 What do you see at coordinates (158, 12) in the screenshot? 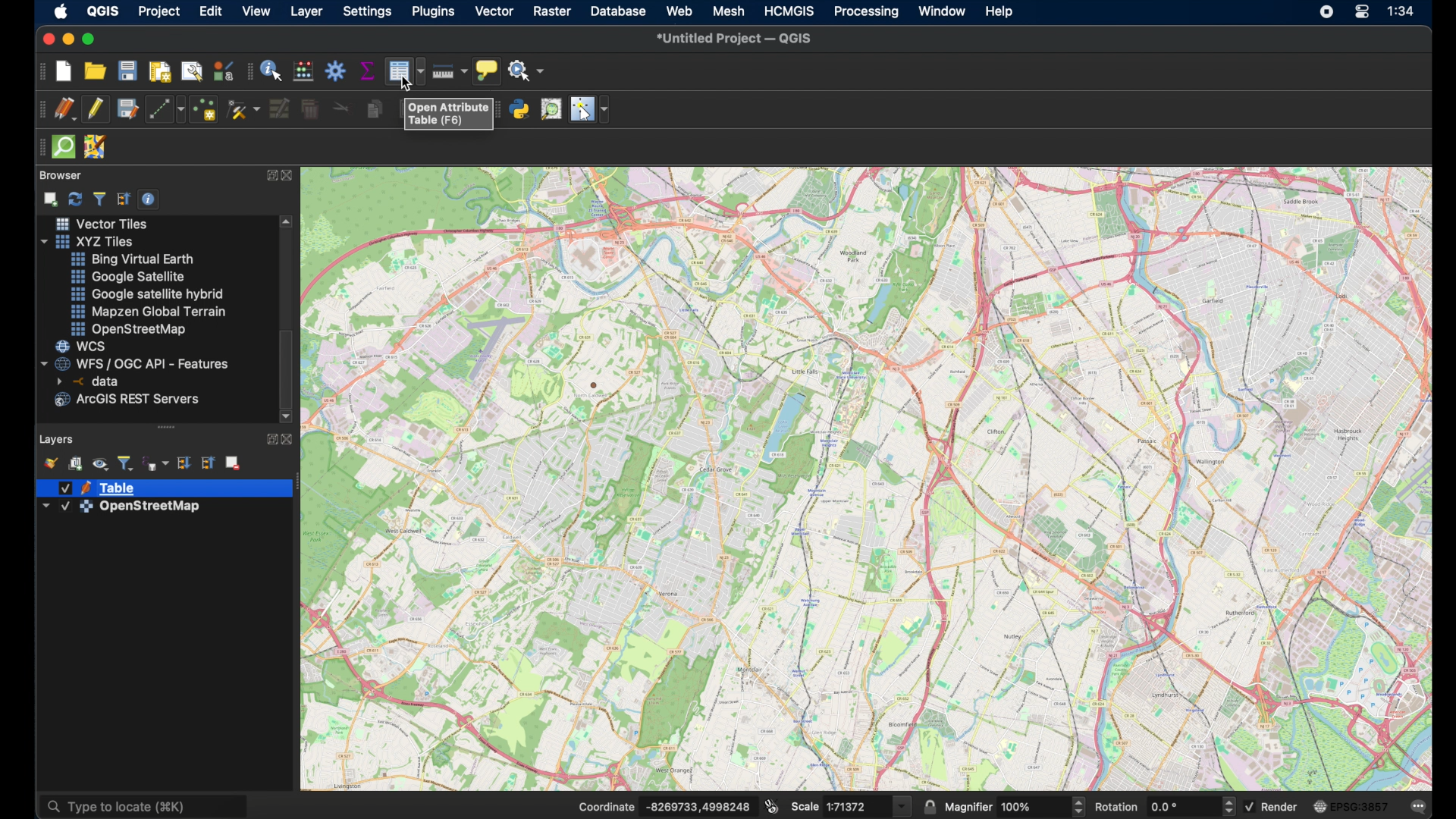
I see `project` at bounding box center [158, 12].